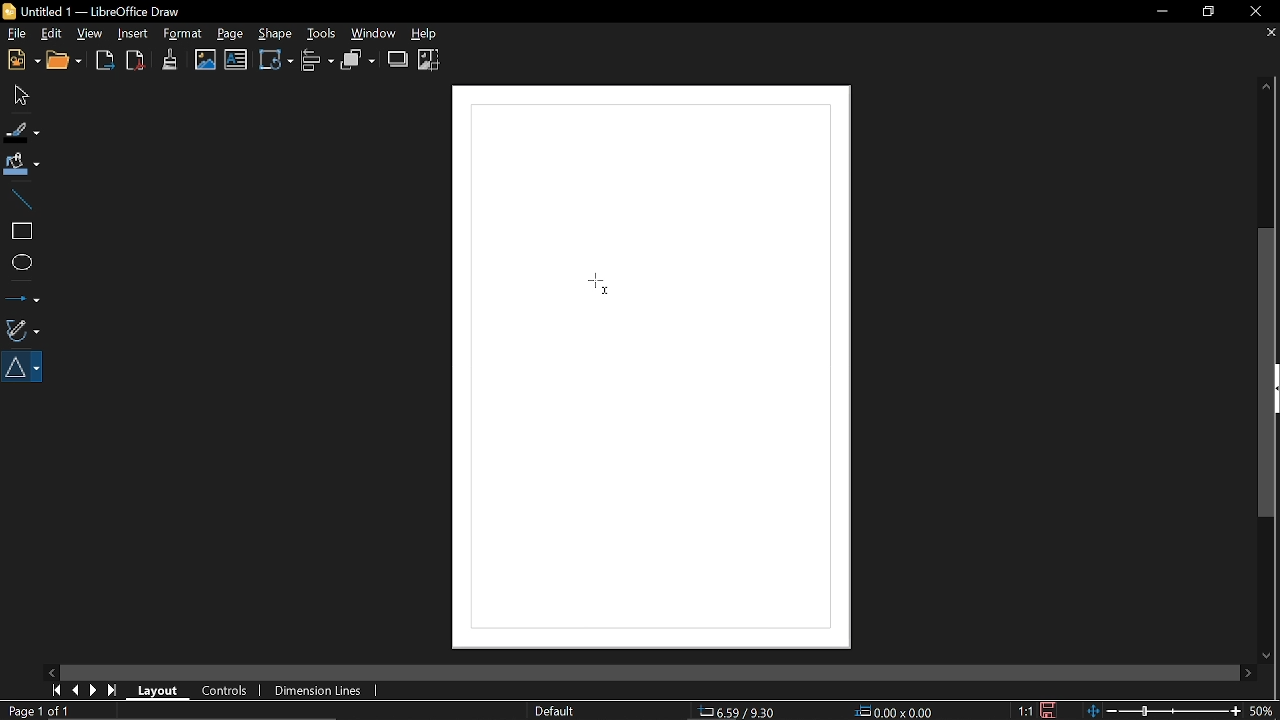  What do you see at coordinates (20, 263) in the screenshot?
I see `Ellipse` at bounding box center [20, 263].